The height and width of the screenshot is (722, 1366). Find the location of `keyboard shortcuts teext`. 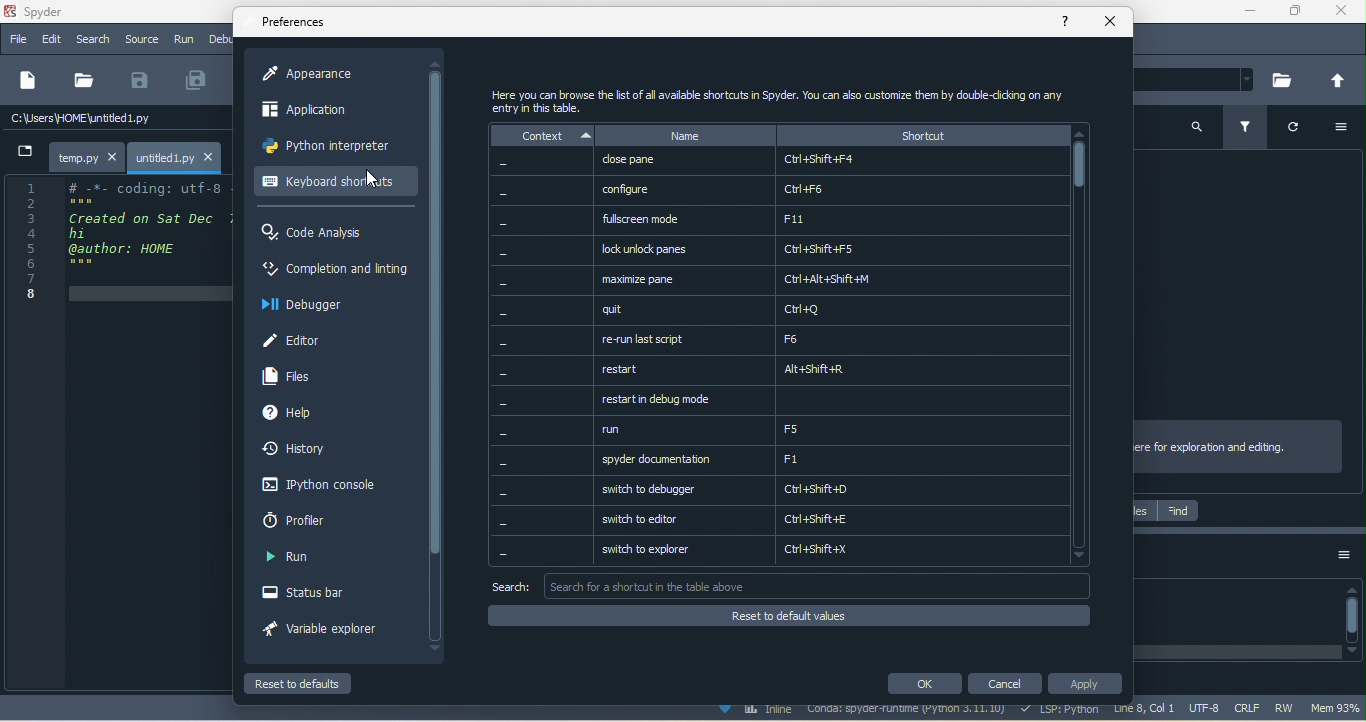

keyboard shortcuts teext is located at coordinates (793, 100).